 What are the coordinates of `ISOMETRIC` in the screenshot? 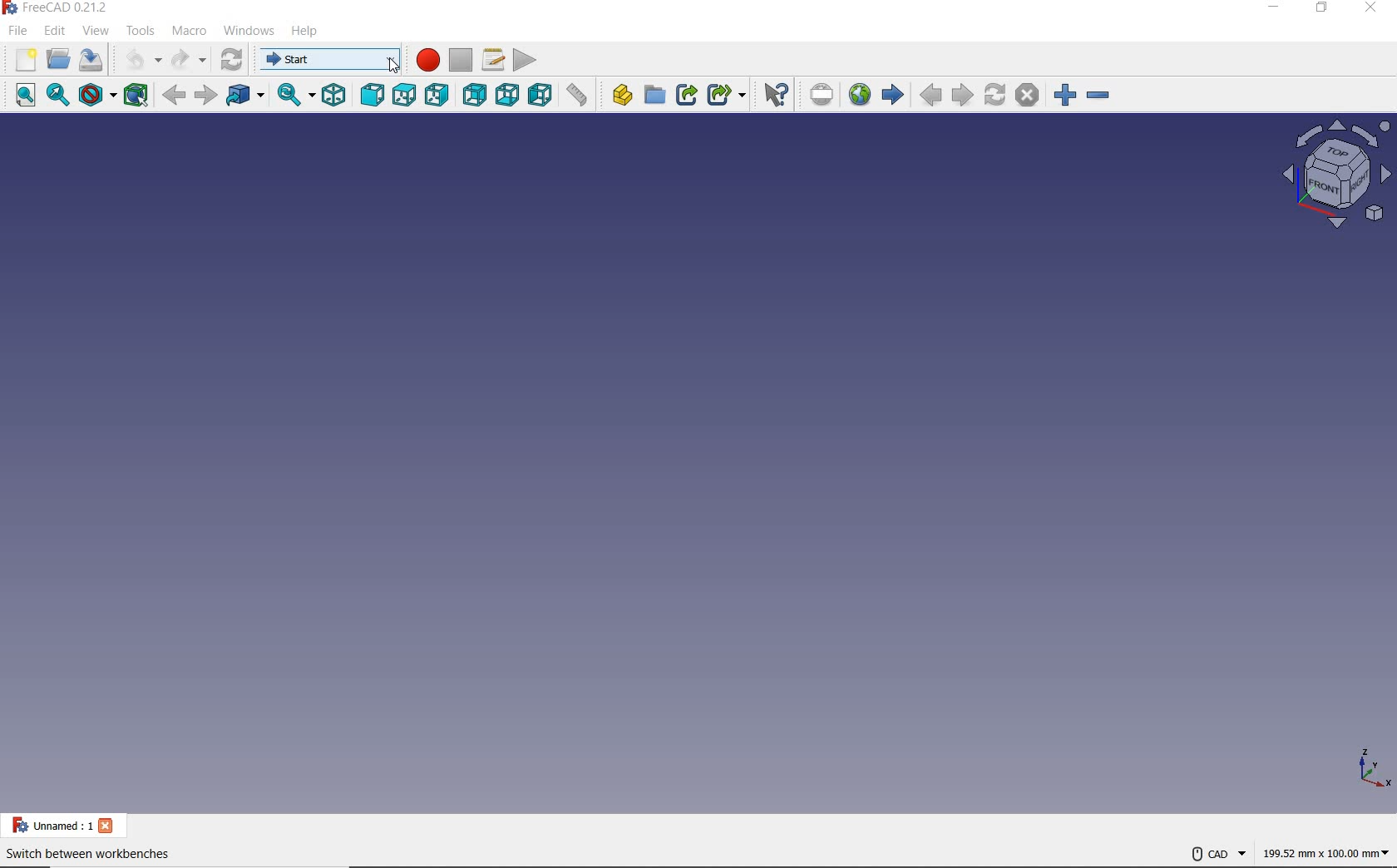 It's located at (333, 92).